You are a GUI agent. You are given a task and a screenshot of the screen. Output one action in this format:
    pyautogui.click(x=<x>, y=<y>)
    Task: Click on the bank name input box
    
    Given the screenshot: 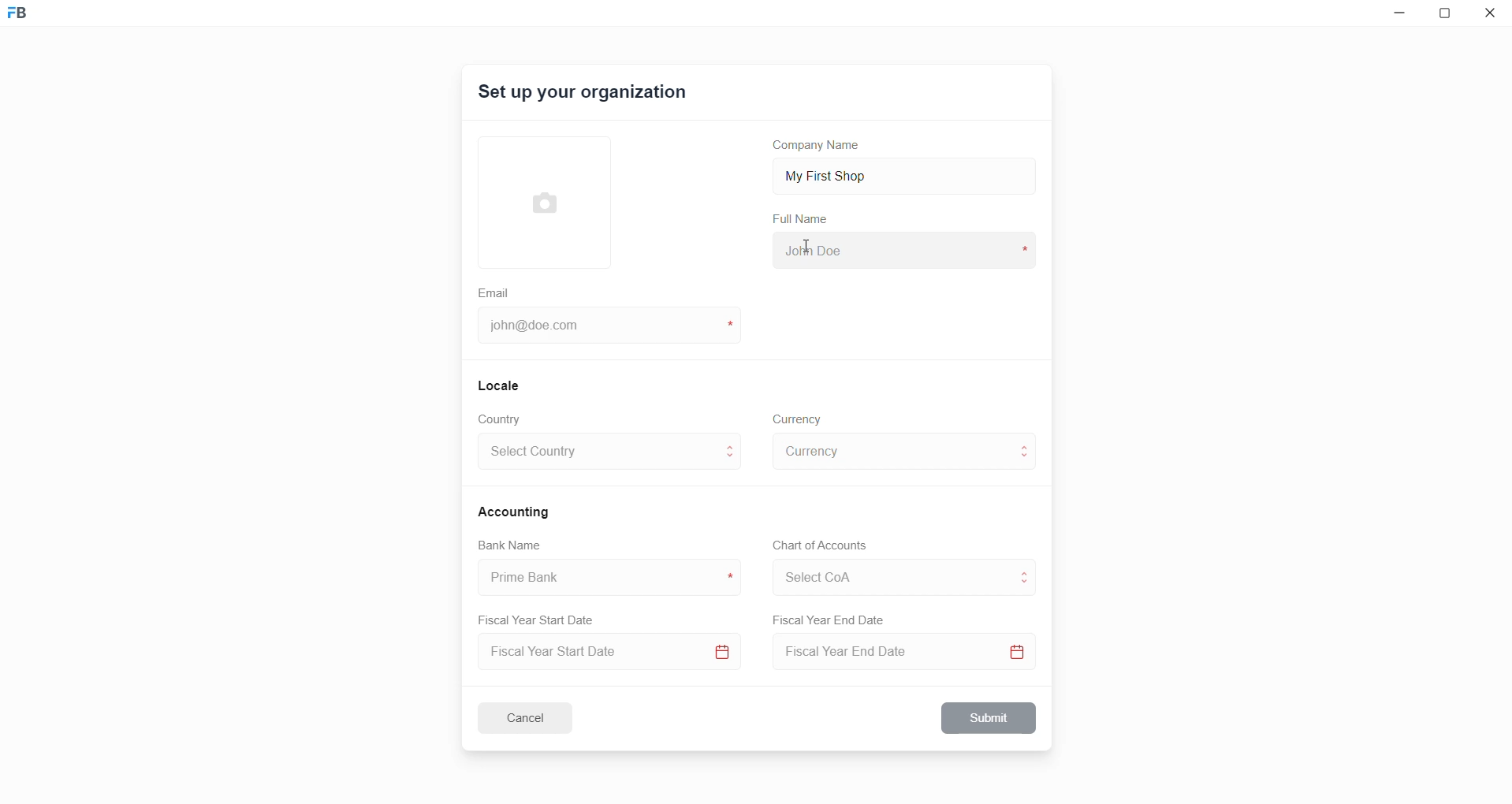 What is the action you would take?
    pyautogui.click(x=603, y=578)
    